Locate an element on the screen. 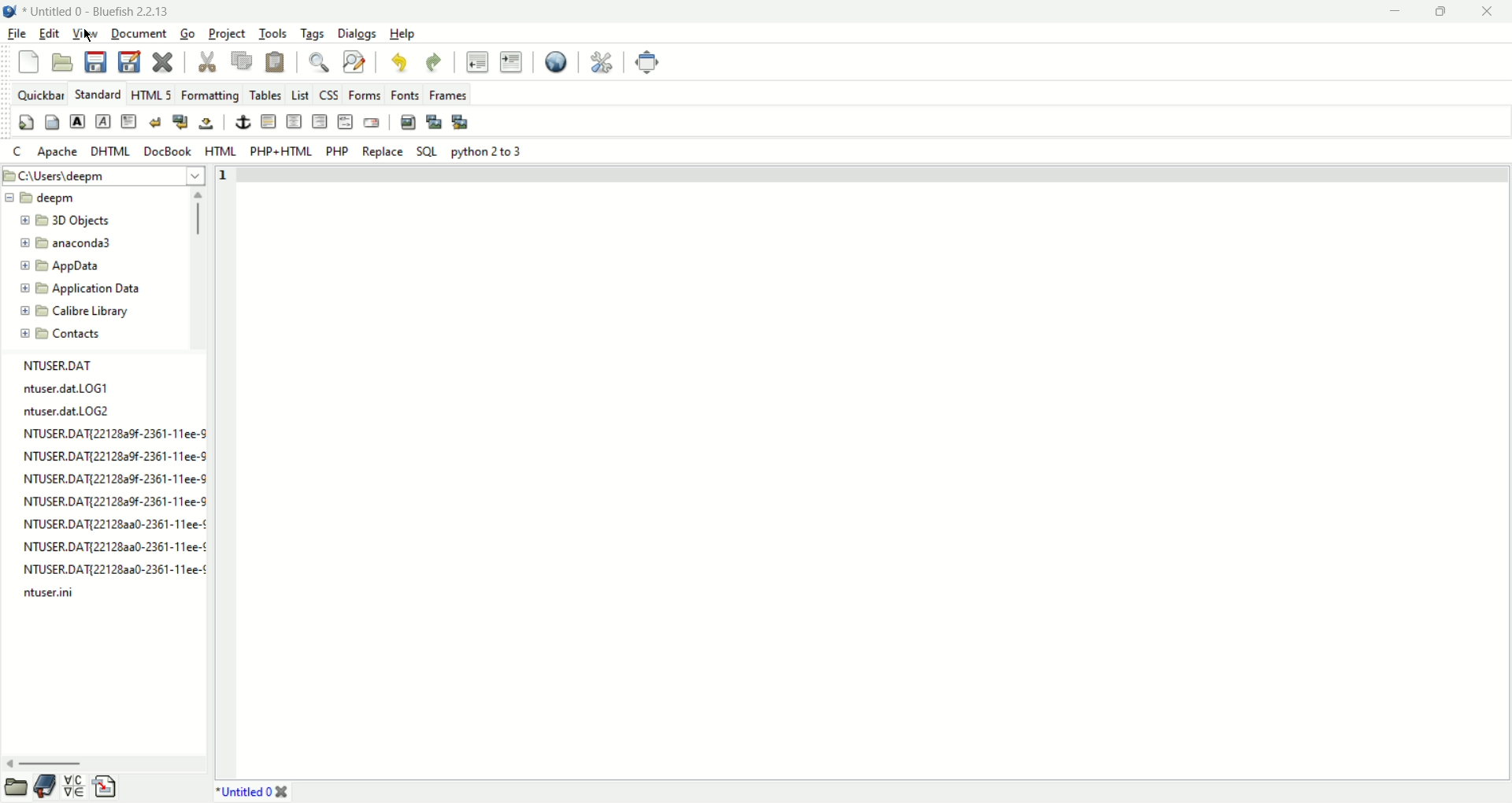  insert thumbnail is located at coordinates (435, 121).